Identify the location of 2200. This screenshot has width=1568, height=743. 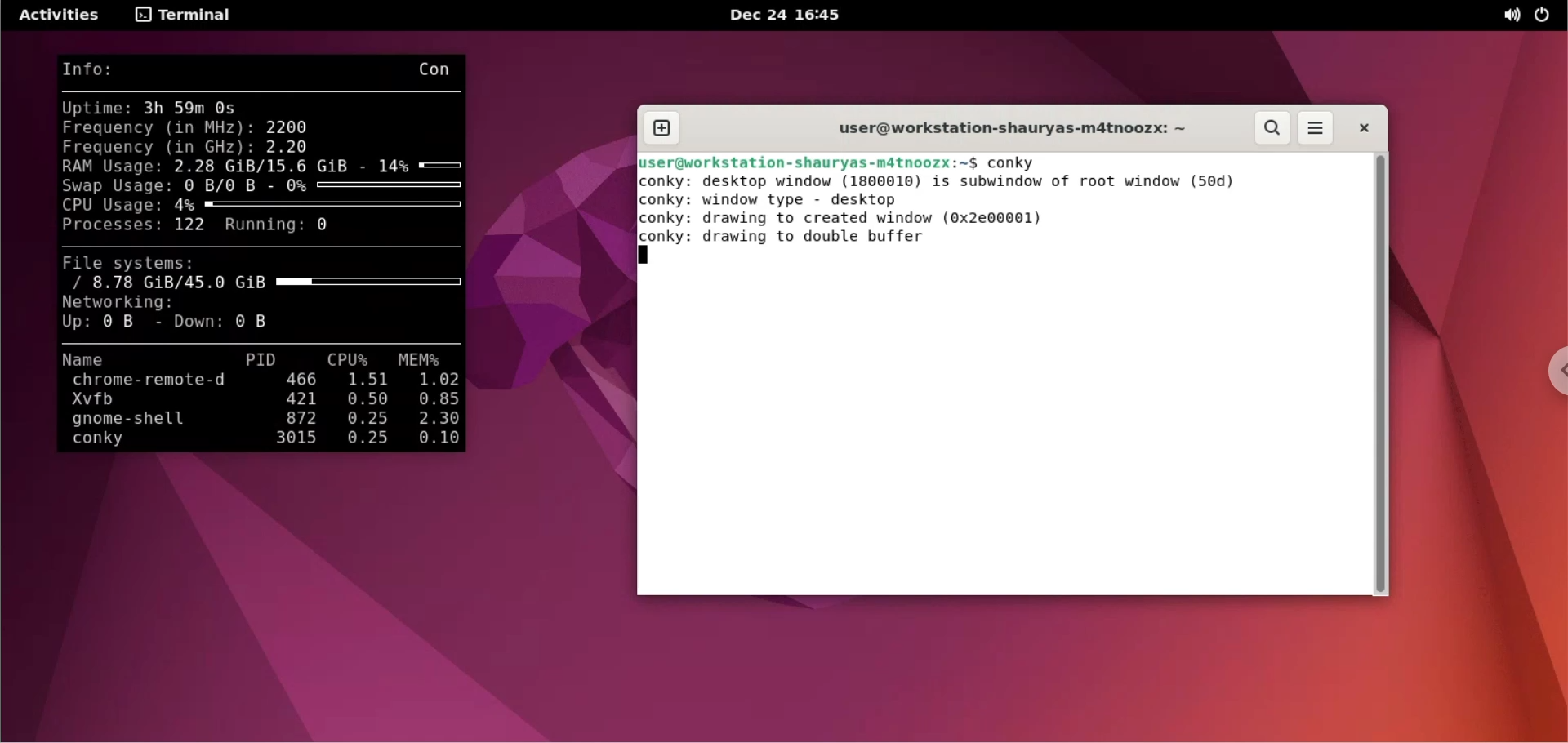
(290, 126).